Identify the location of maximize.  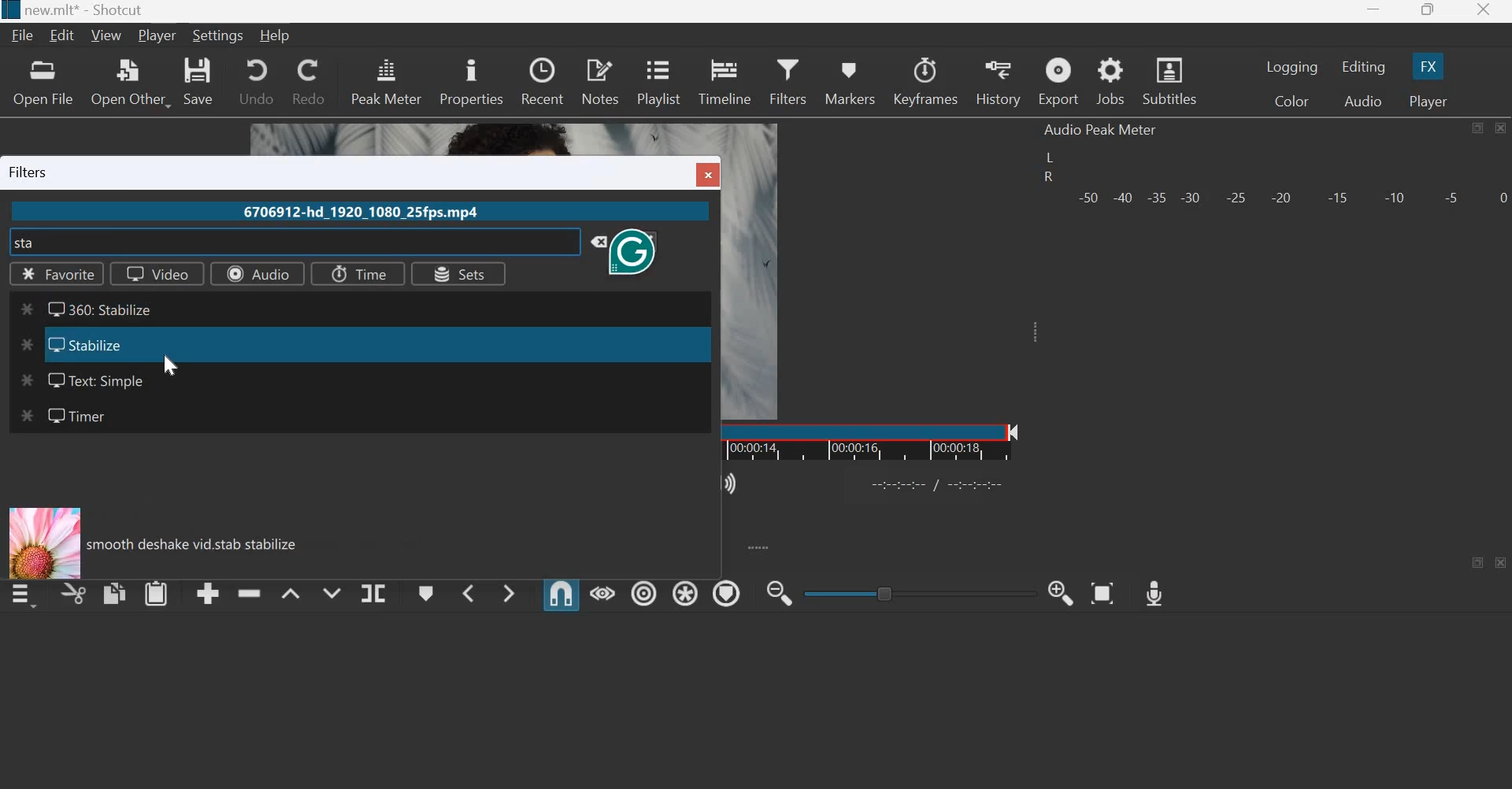
(1478, 128).